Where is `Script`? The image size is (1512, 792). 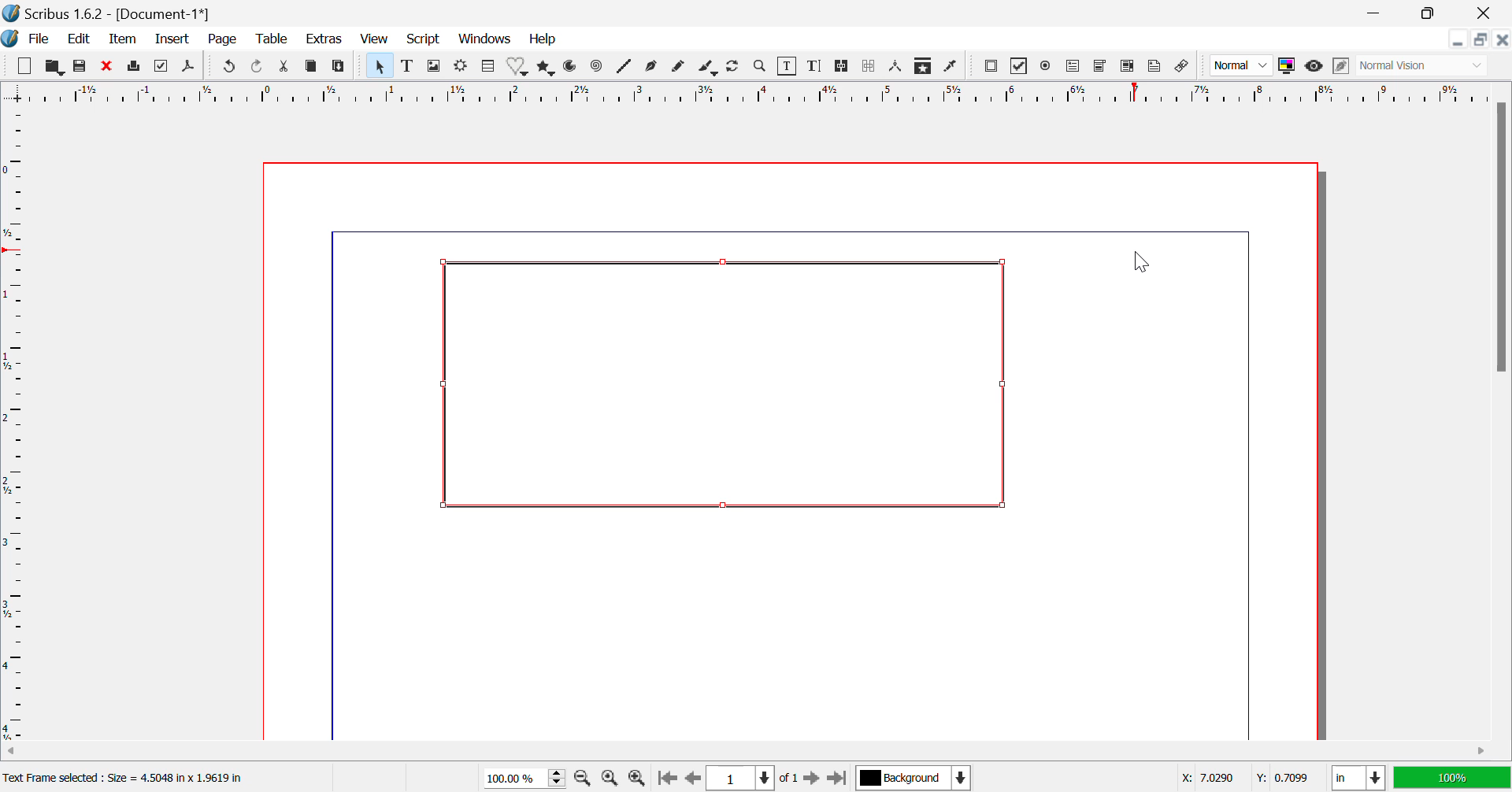 Script is located at coordinates (422, 40).